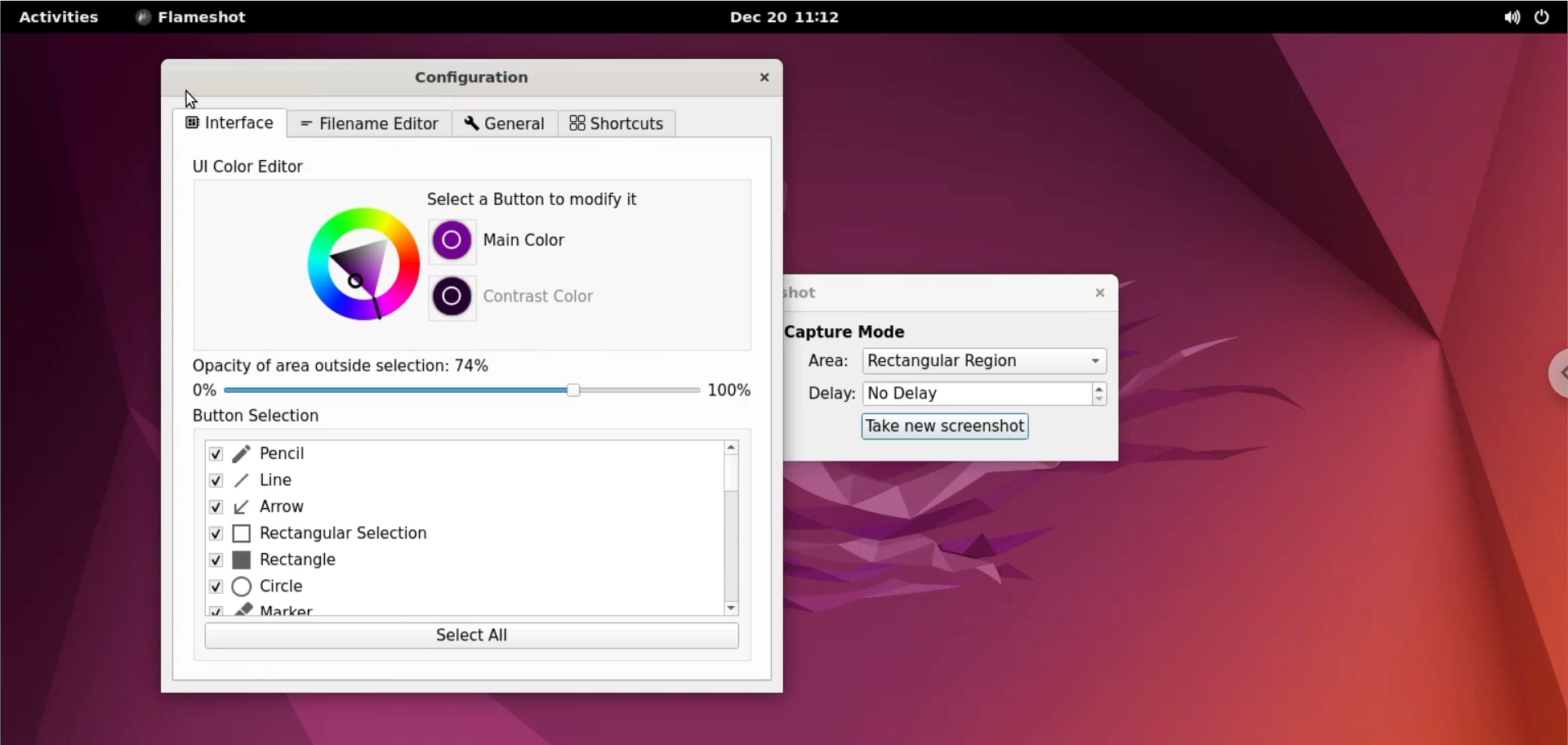  I want to click on power controls, so click(1545, 19).